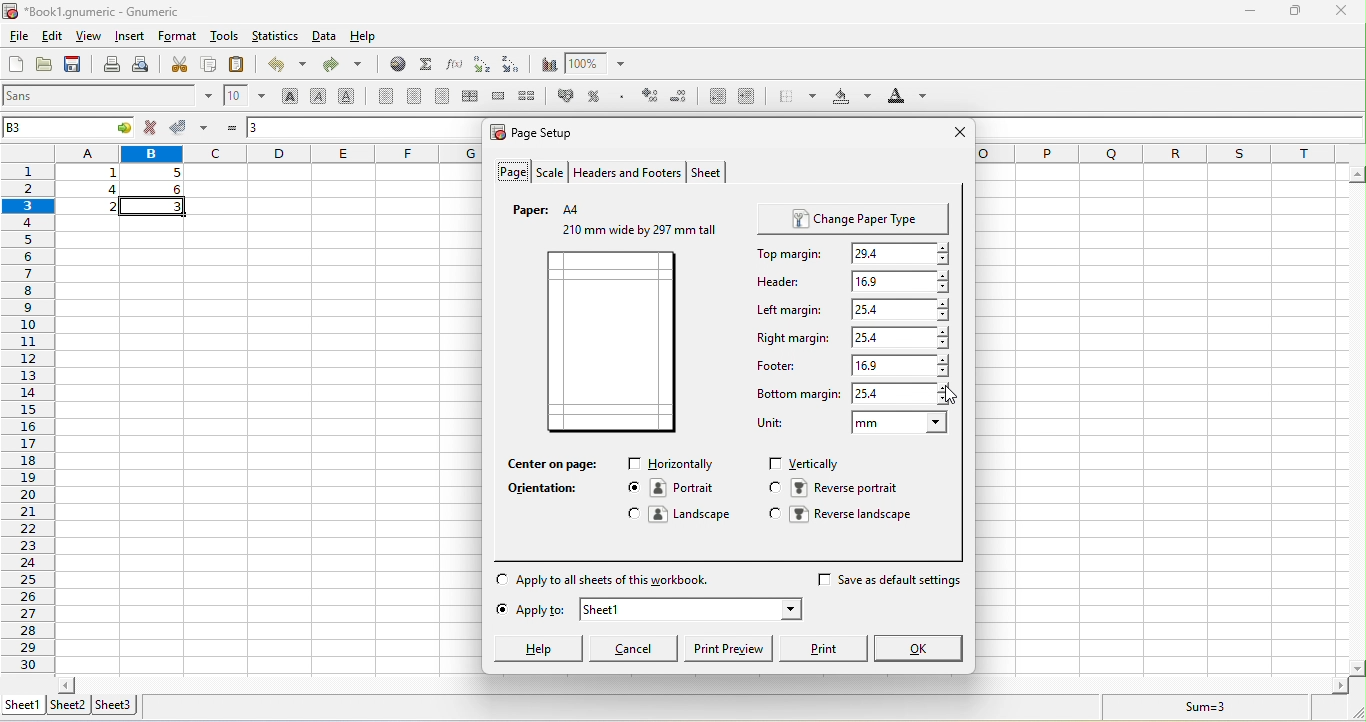 The width and height of the screenshot is (1366, 722). I want to click on footer, so click(780, 362).